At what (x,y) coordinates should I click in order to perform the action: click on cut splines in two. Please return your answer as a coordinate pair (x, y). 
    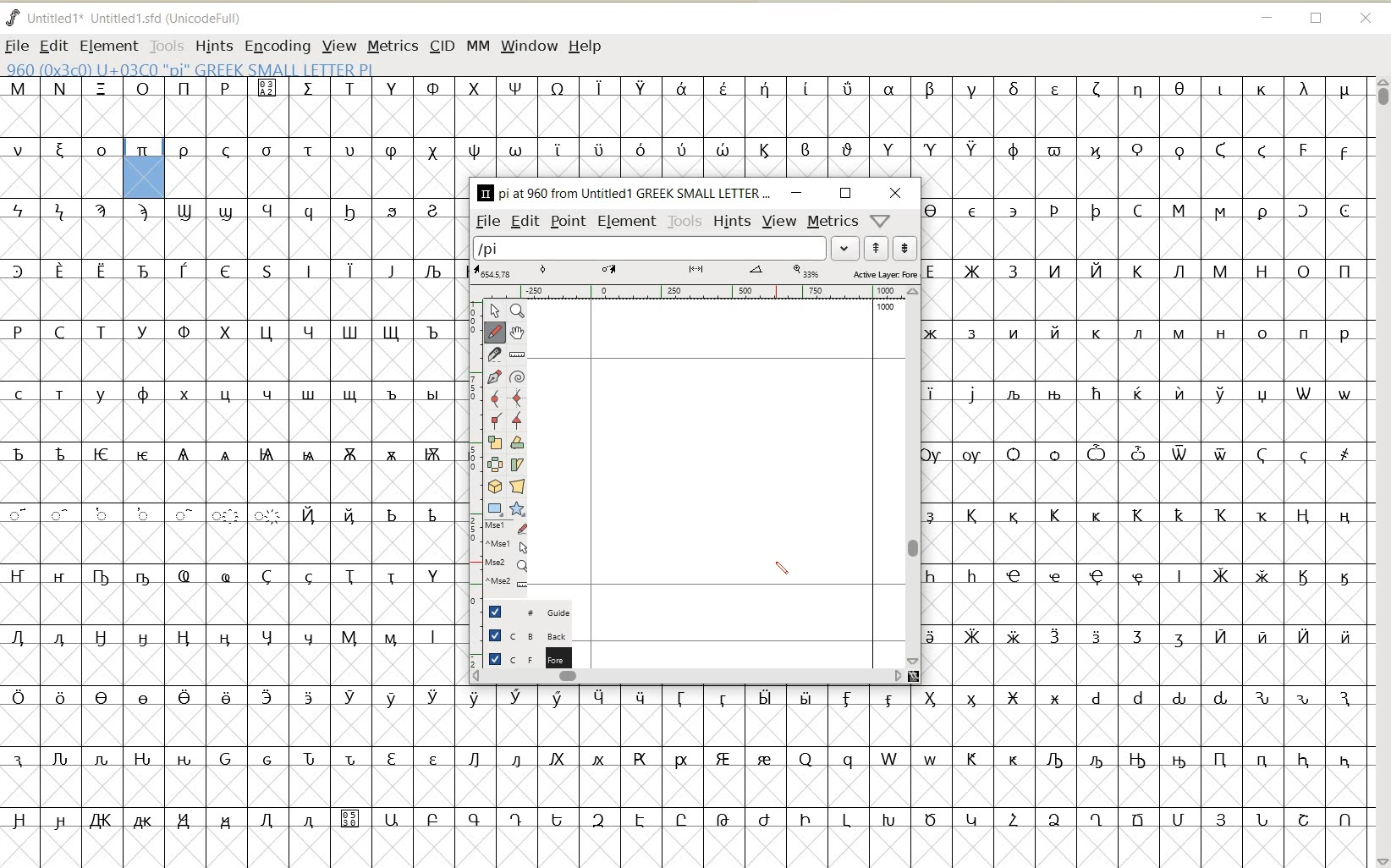
    Looking at the image, I should click on (492, 354).